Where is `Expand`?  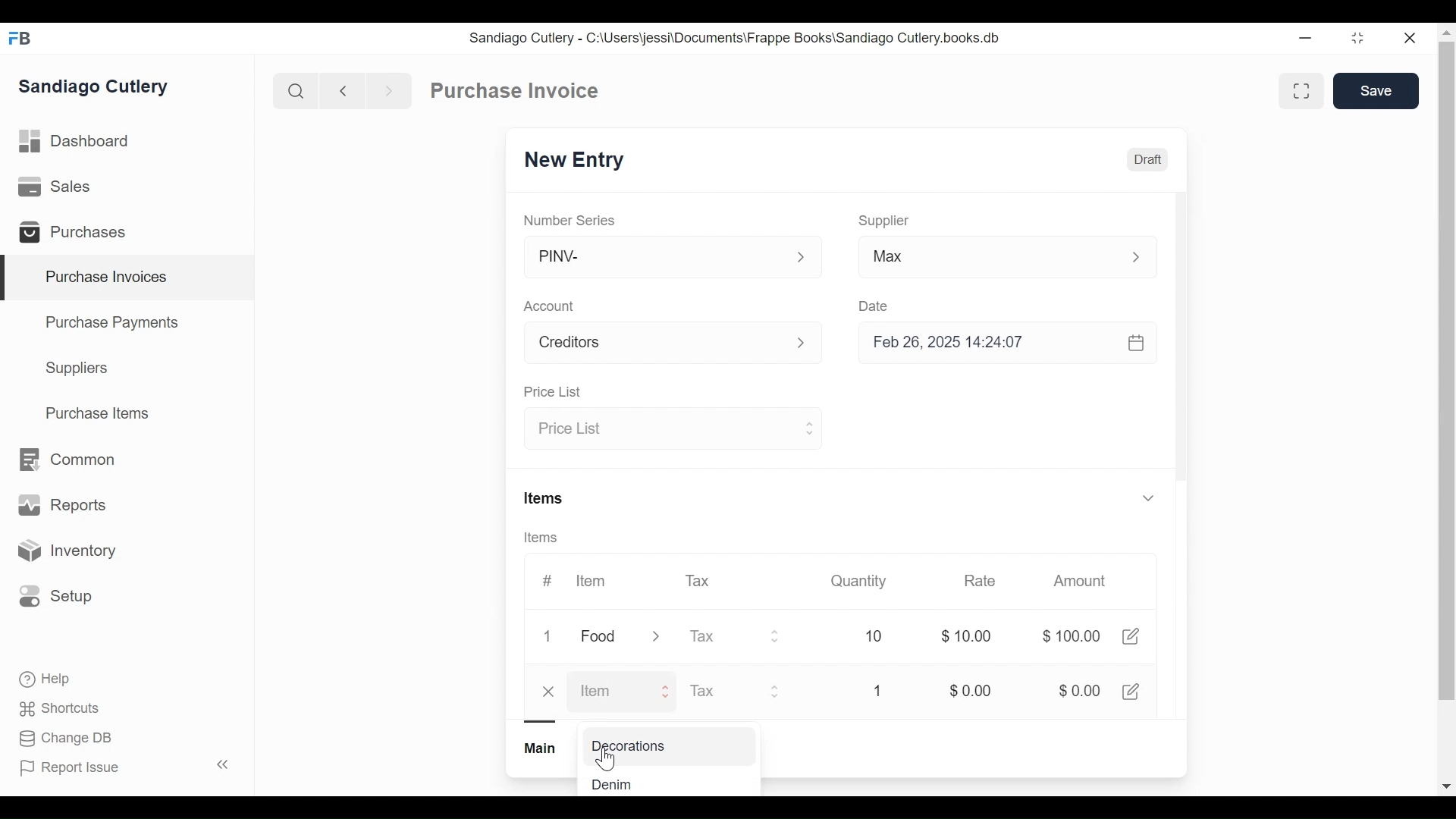 Expand is located at coordinates (778, 691).